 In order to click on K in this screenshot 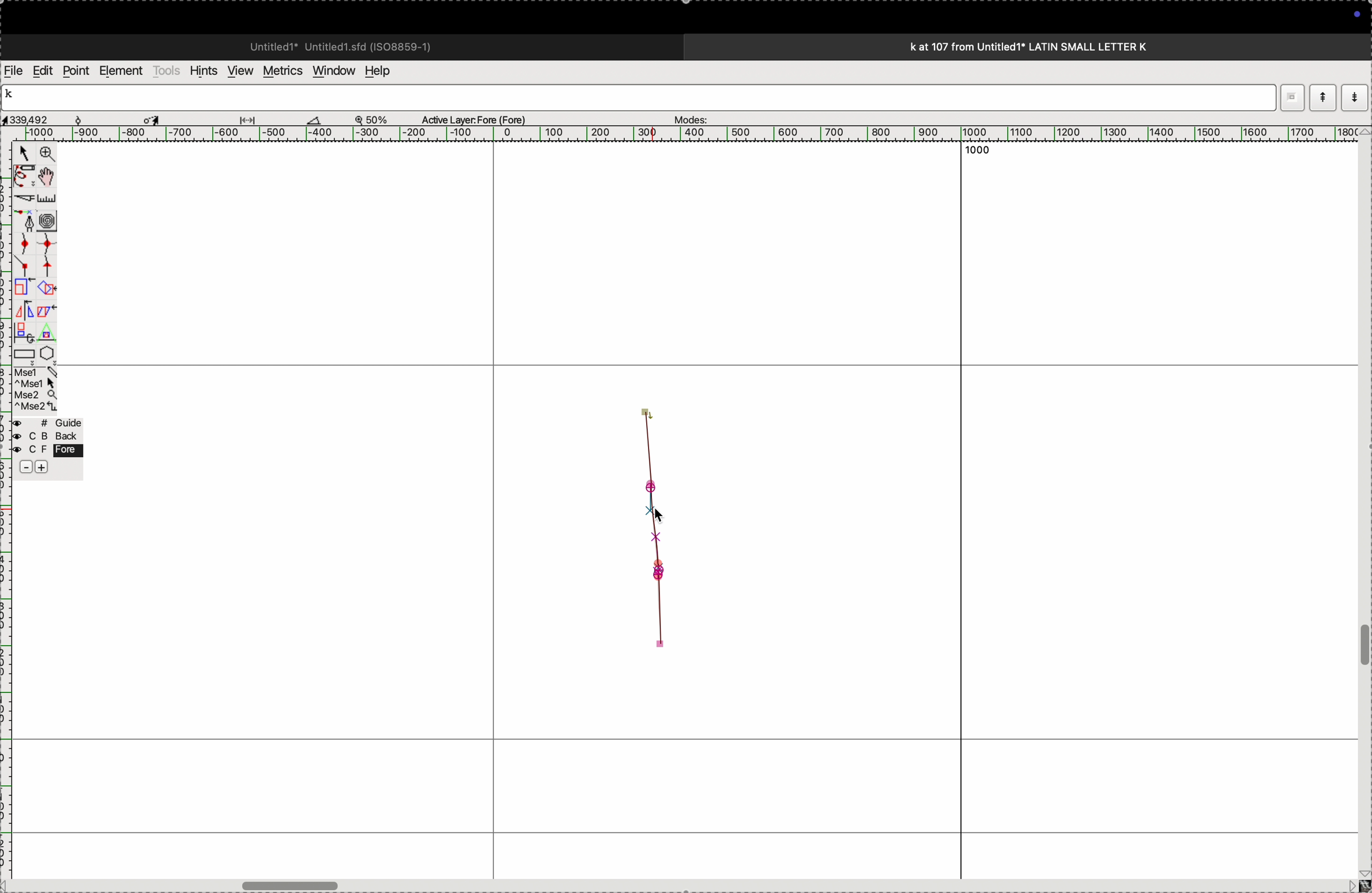, I will do `click(14, 96)`.